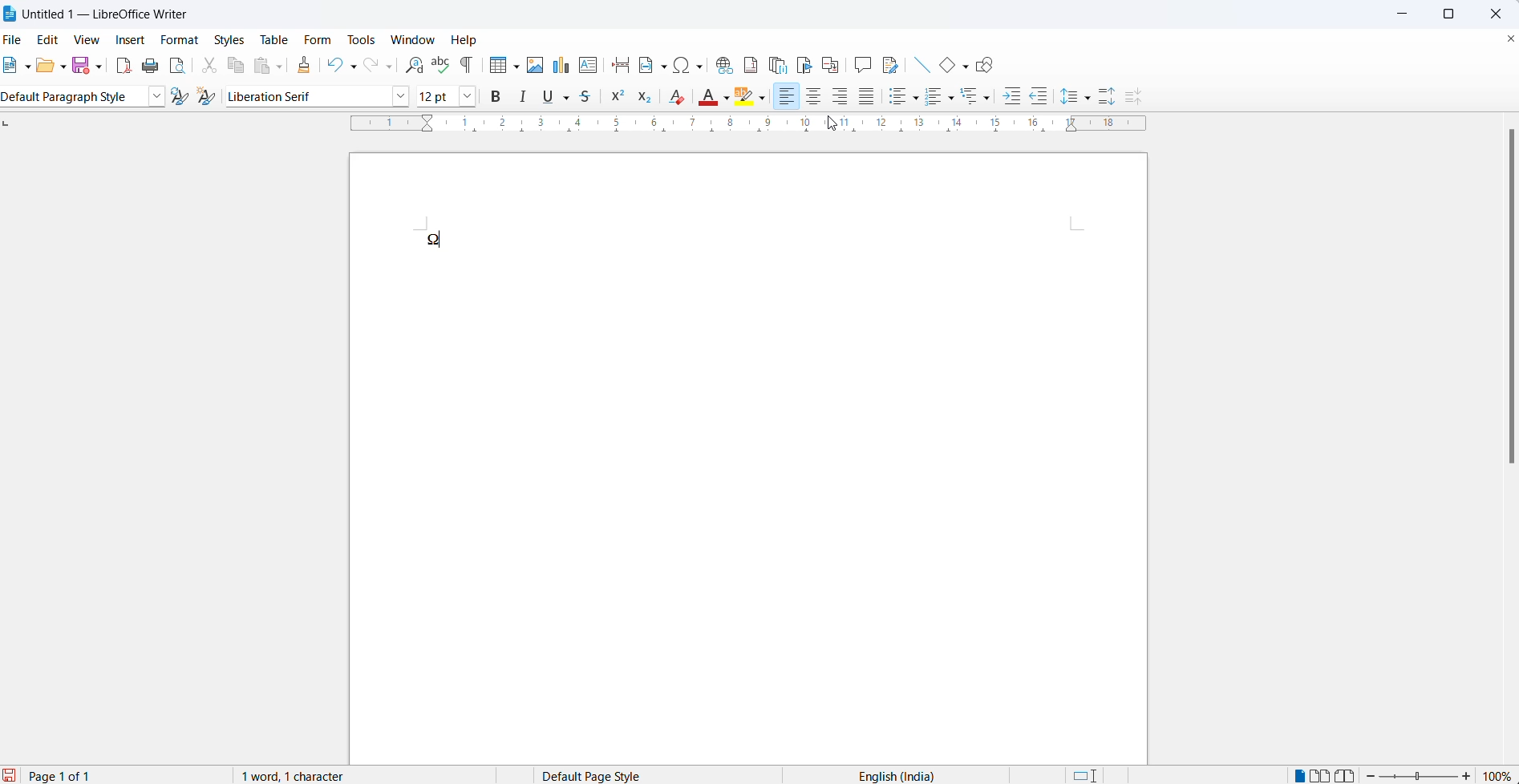 The image size is (1519, 784). What do you see at coordinates (618, 98) in the screenshot?
I see `superscript` at bounding box center [618, 98].